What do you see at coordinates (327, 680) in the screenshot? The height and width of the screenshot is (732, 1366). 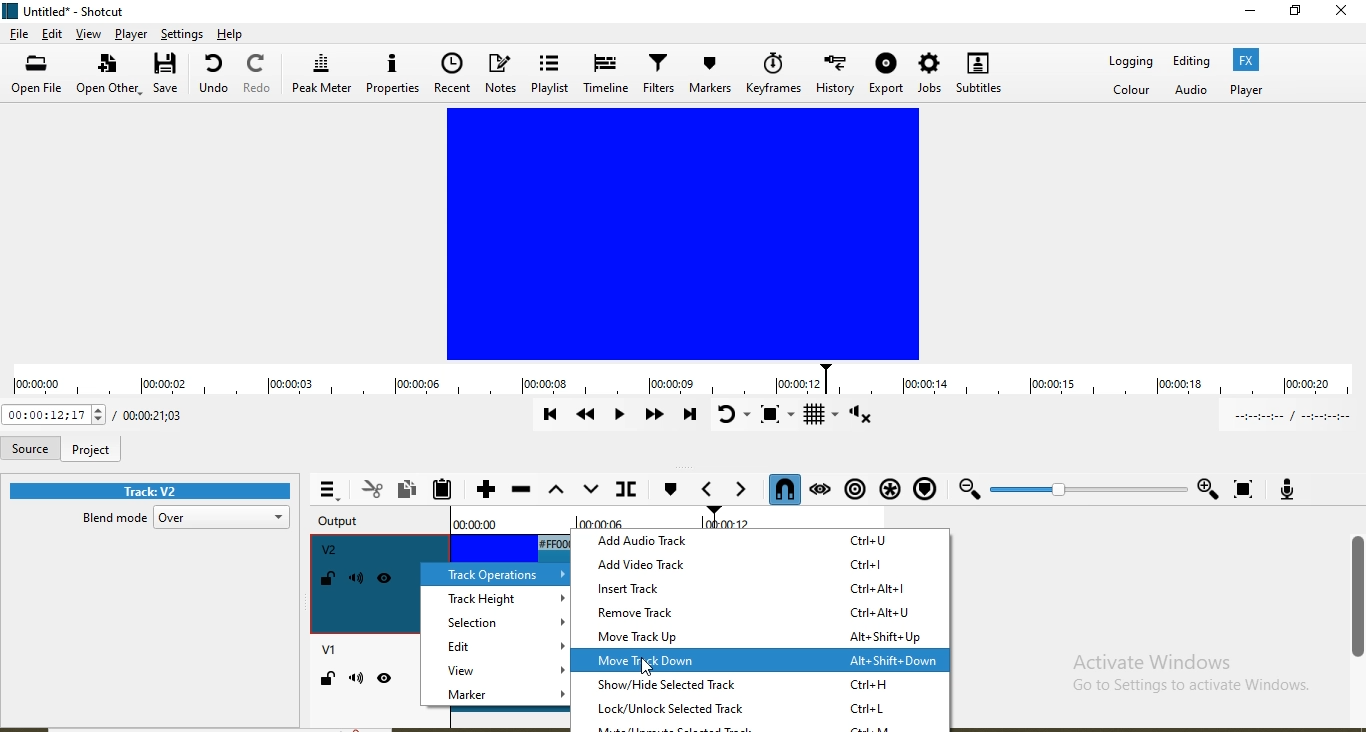 I see `Lock` at bounding box center [327, 680].